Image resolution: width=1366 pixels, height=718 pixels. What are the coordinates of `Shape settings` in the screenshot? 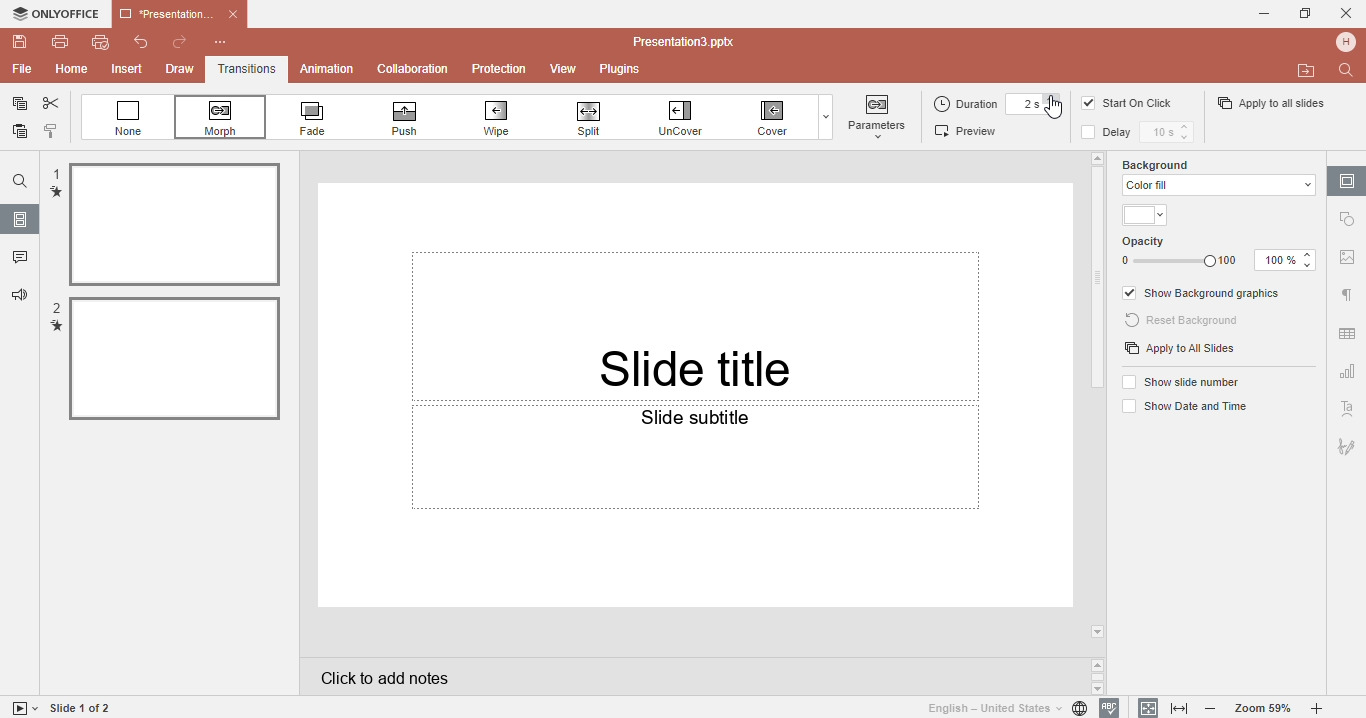 It's located at (1349, 219).